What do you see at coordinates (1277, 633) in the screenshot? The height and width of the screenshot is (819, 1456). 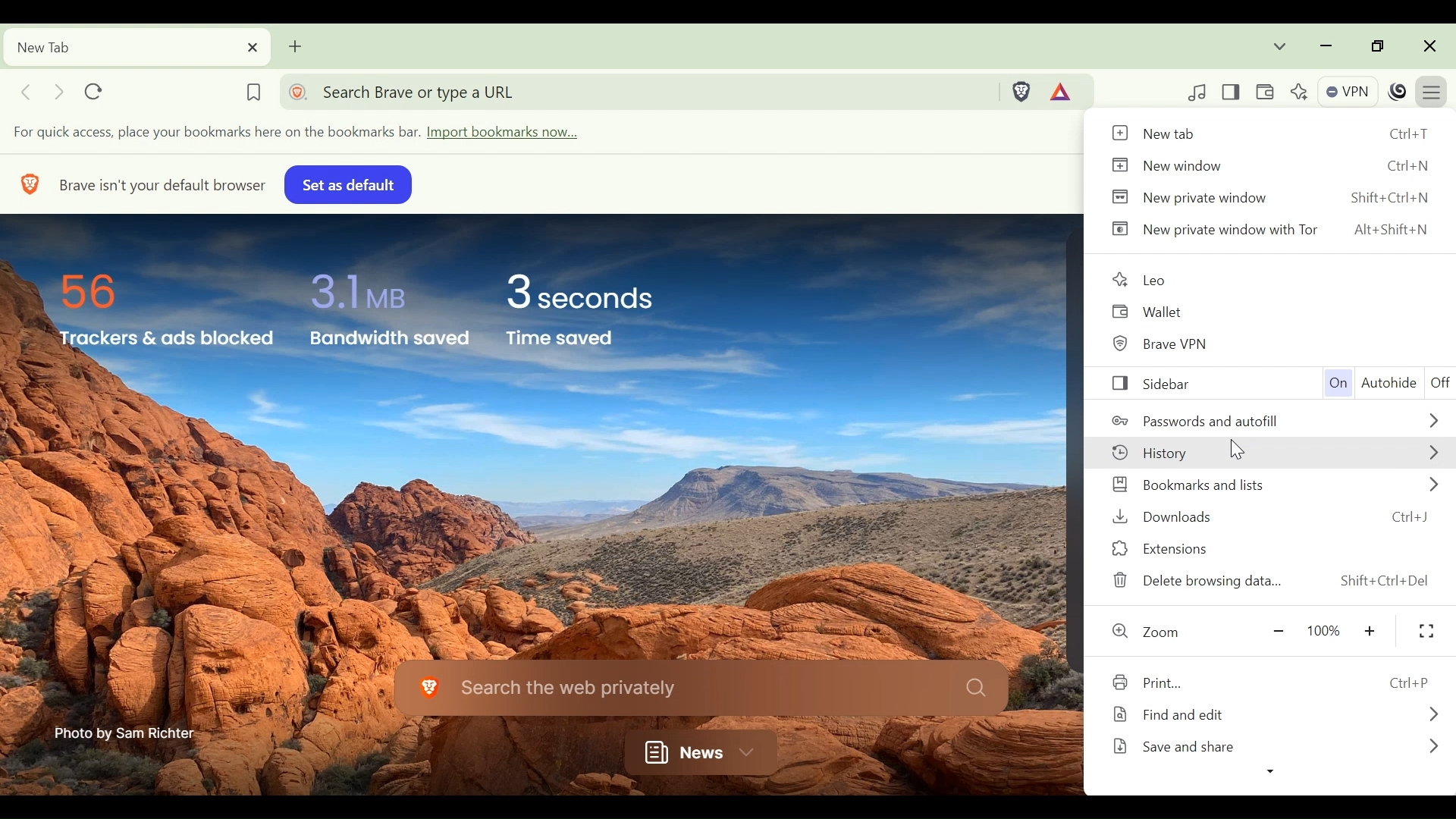 I see `Zoom out` at bounding box center [1277, 633].